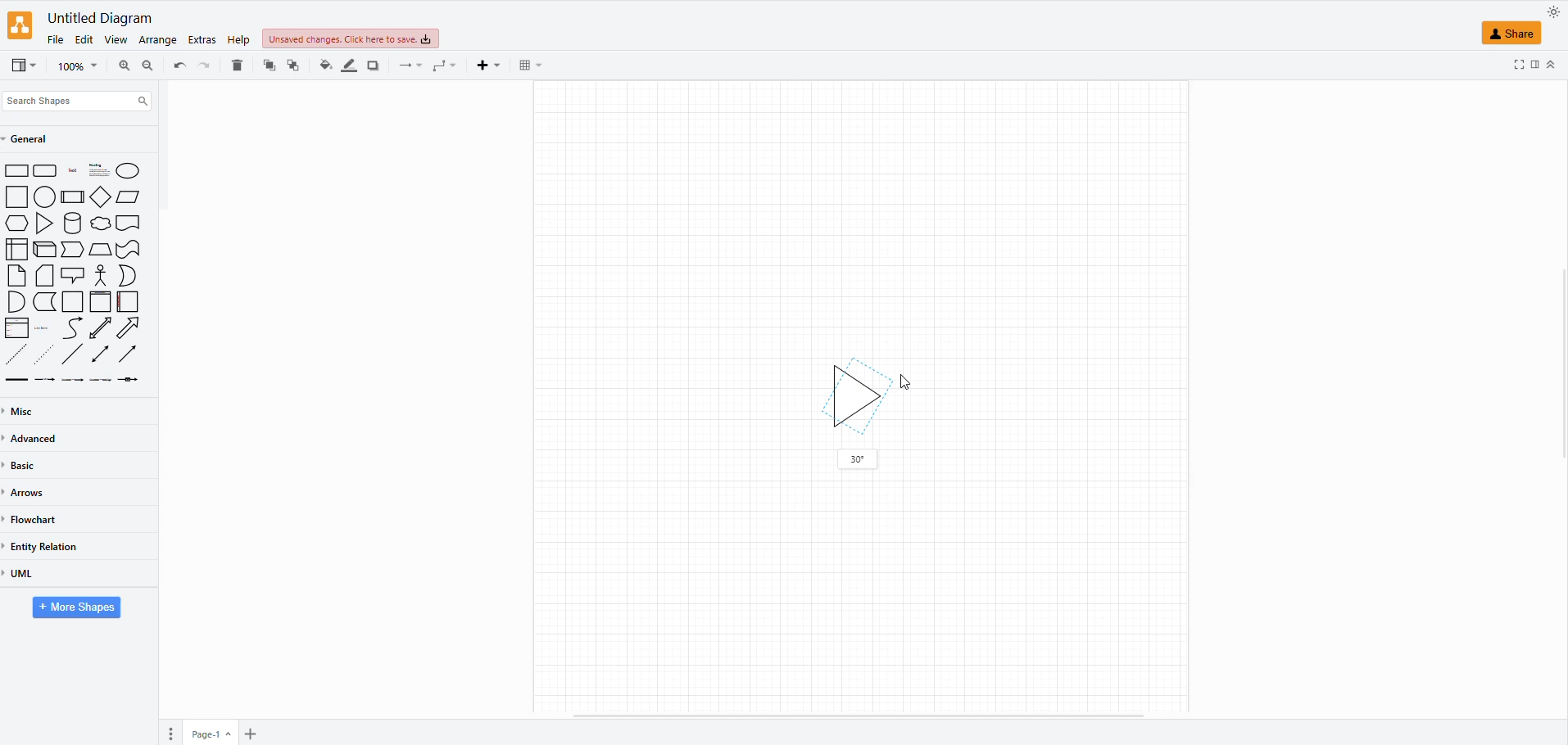 The width and height of the screenshot is (1568, 745). I want to click on Cube, so click(46, 250).